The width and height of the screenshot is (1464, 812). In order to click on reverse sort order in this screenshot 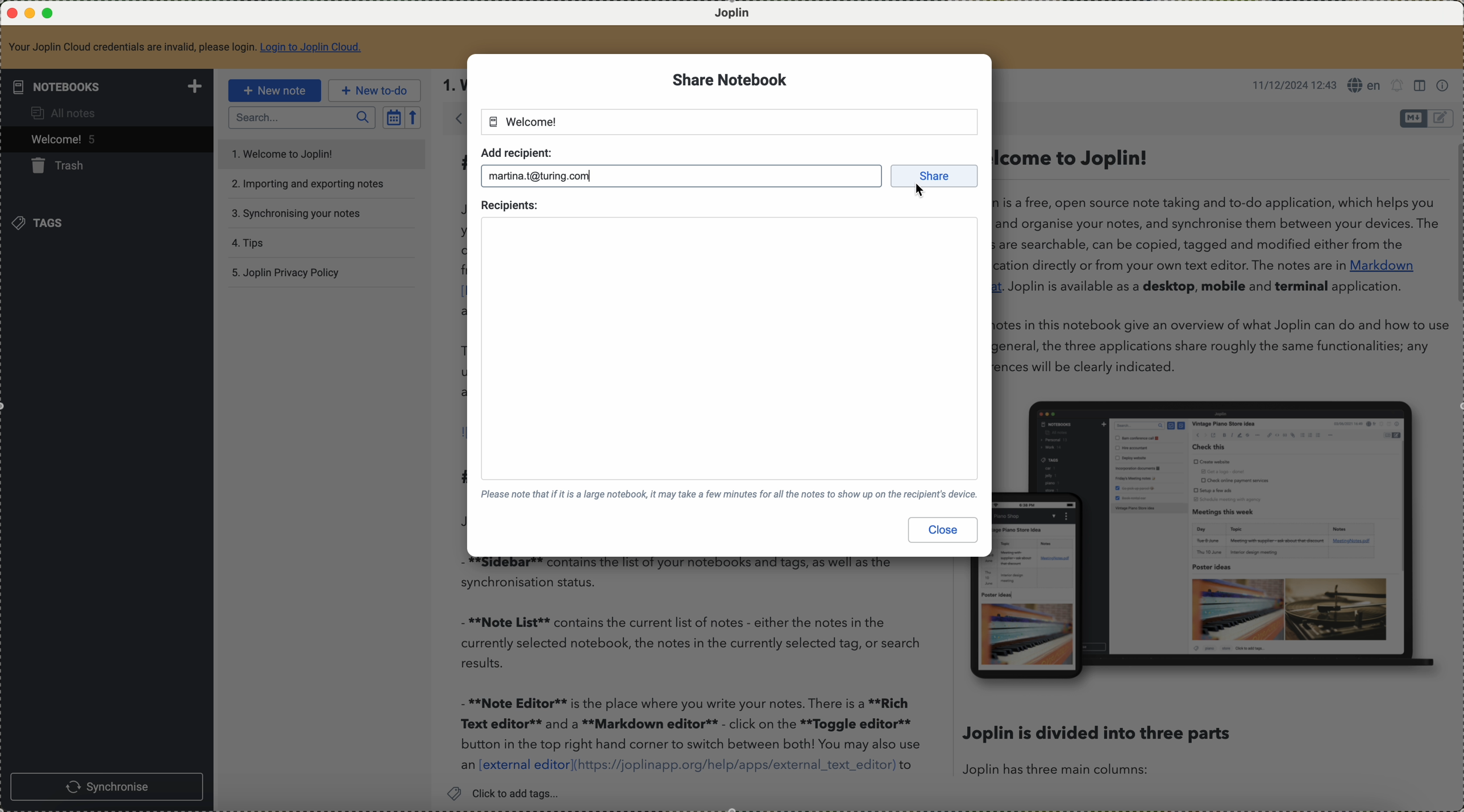, I will do `click(412, 118)`.